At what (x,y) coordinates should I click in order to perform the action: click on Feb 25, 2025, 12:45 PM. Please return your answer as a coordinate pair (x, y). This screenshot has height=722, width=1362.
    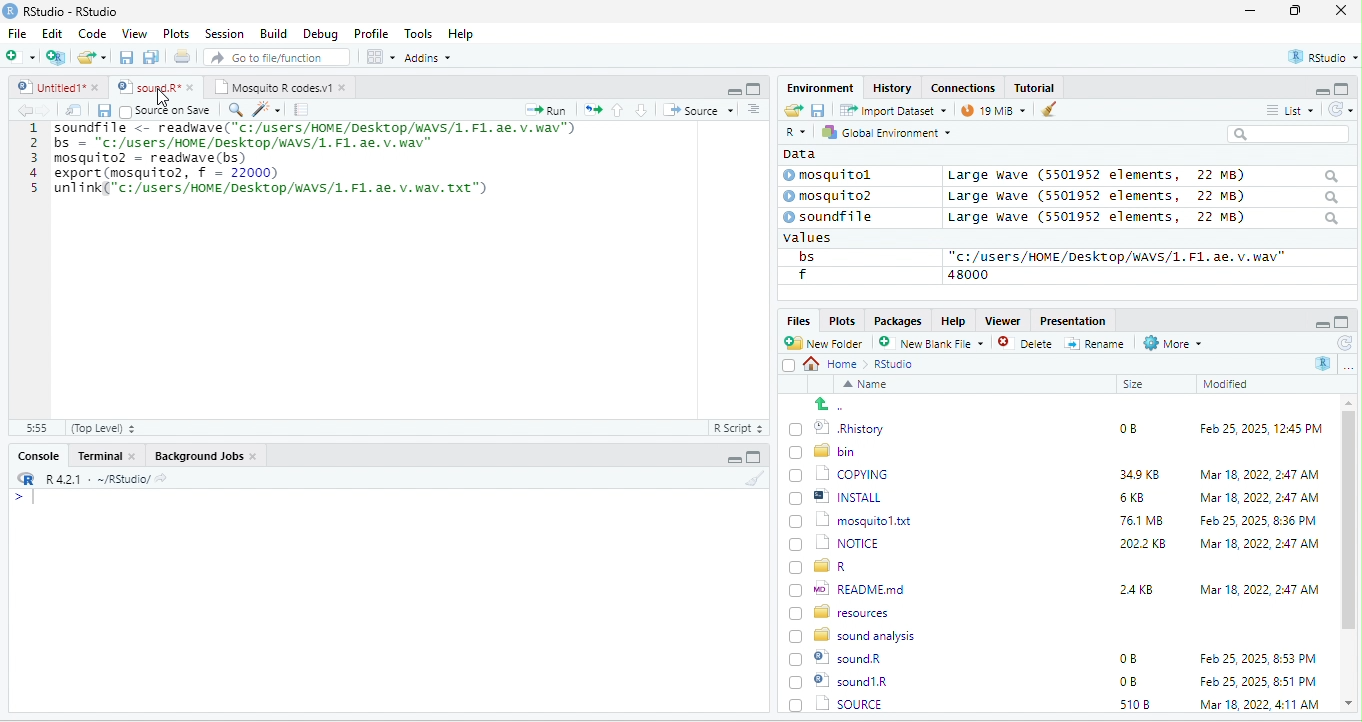
    Looking at the image, I should click on (1261, 431).